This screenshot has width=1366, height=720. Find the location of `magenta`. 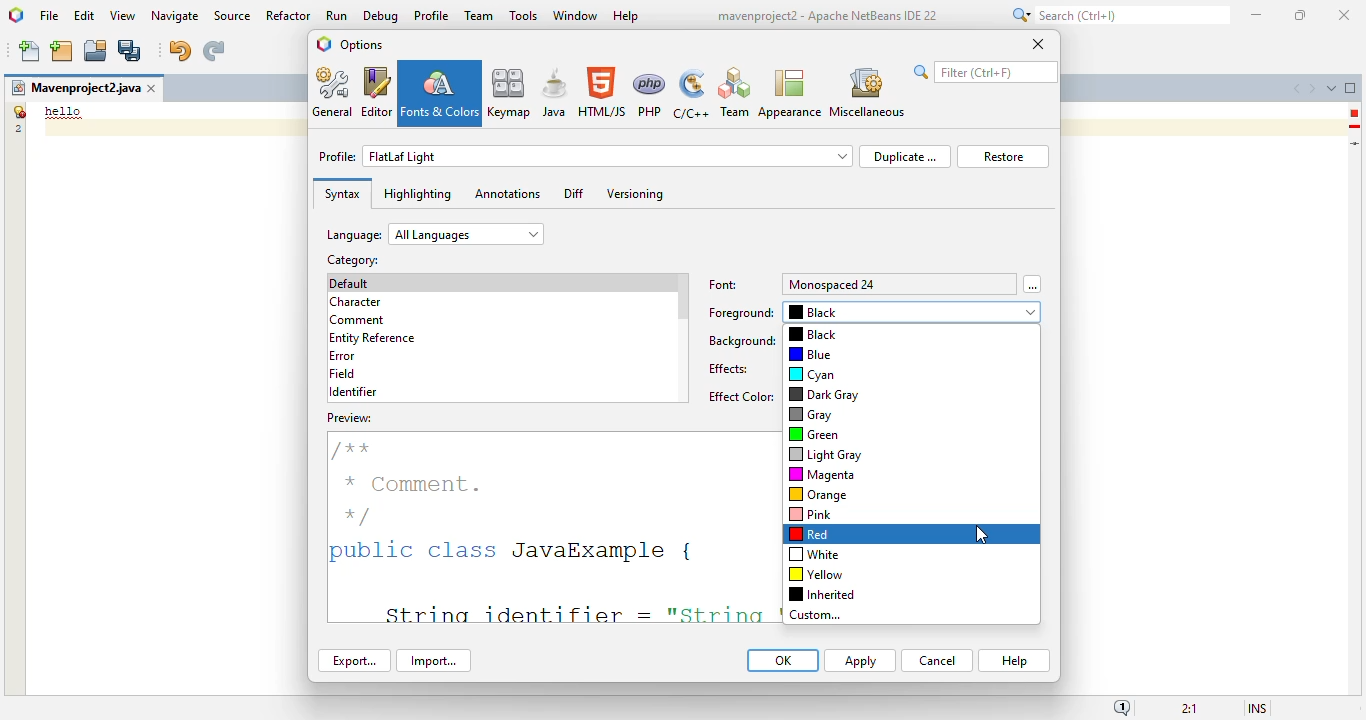

magenta is located at coordinates (822, 474).